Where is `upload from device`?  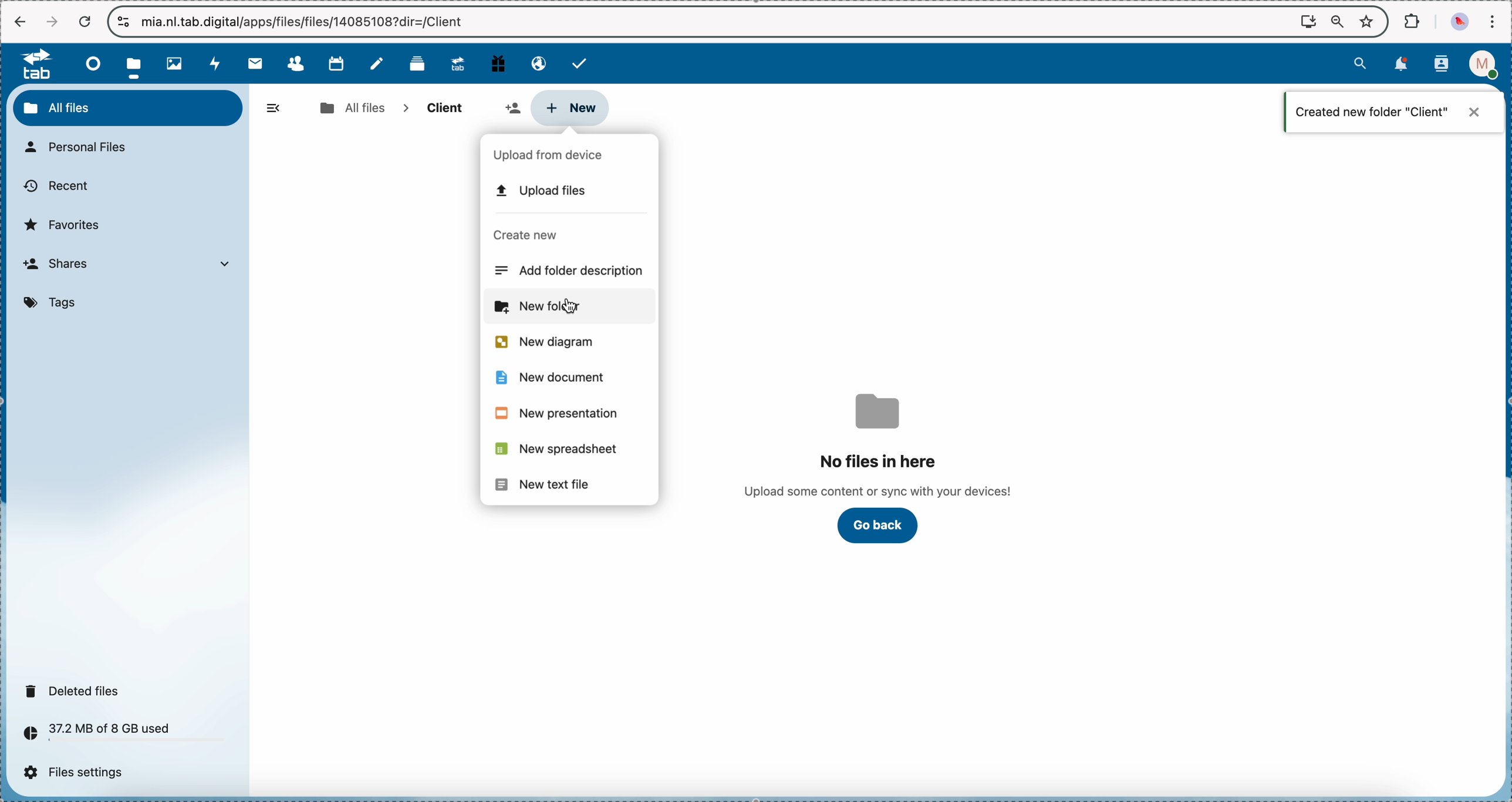
upload from device is located at coordinates (553, 156).